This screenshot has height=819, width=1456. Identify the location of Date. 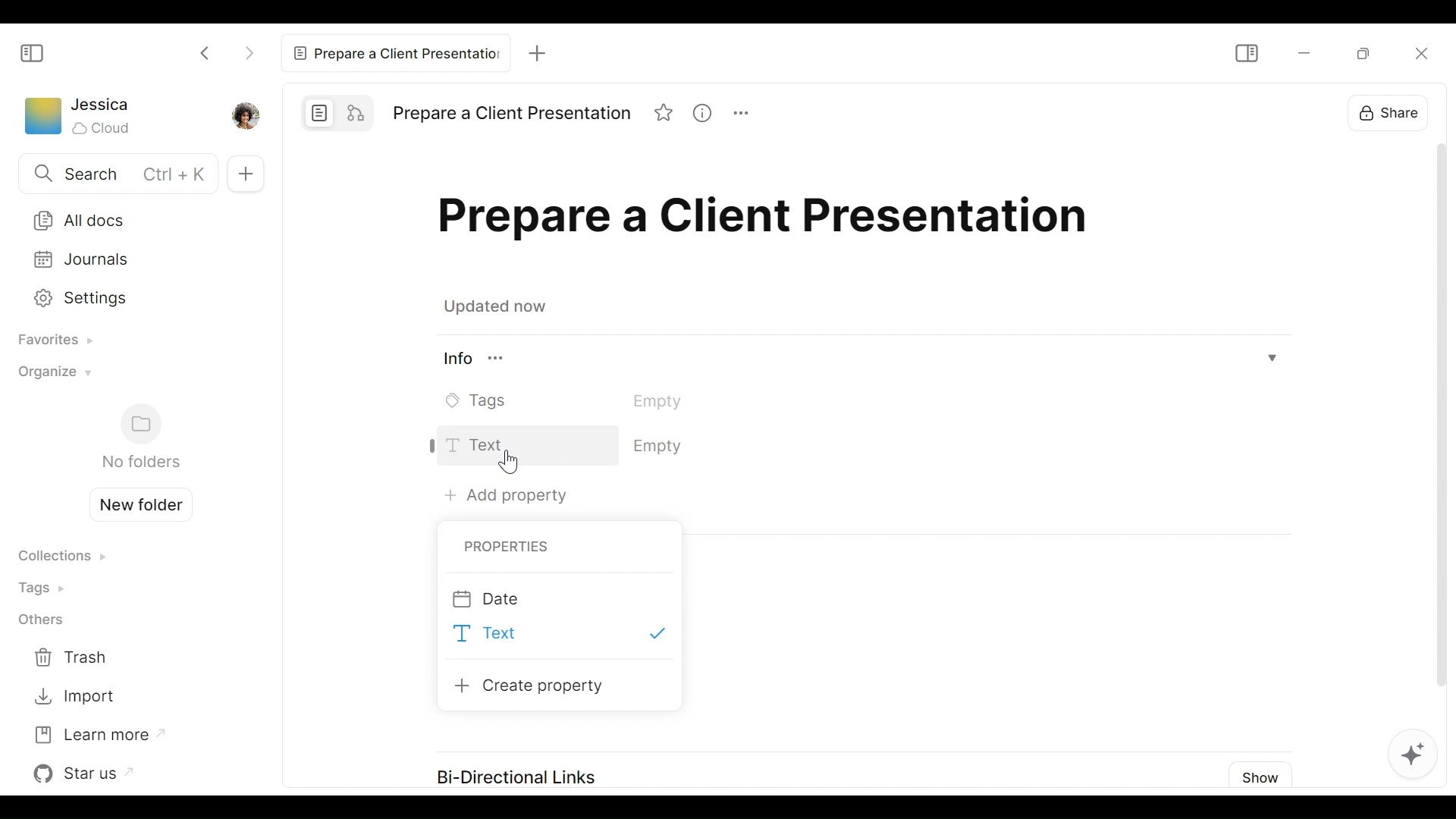
(504, 601).